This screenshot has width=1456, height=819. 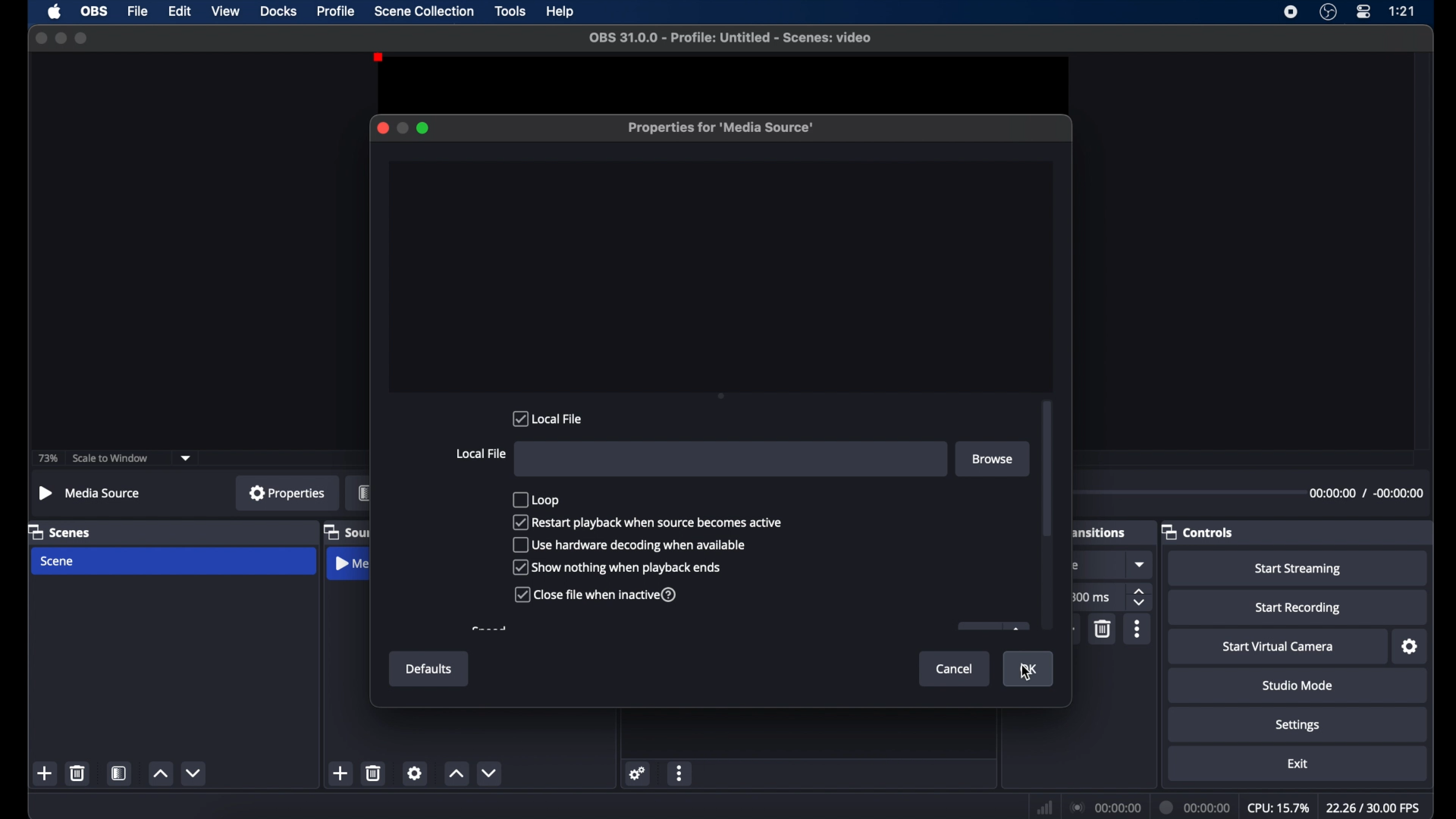 I want to click on fps, so click(x=1373, y=808).